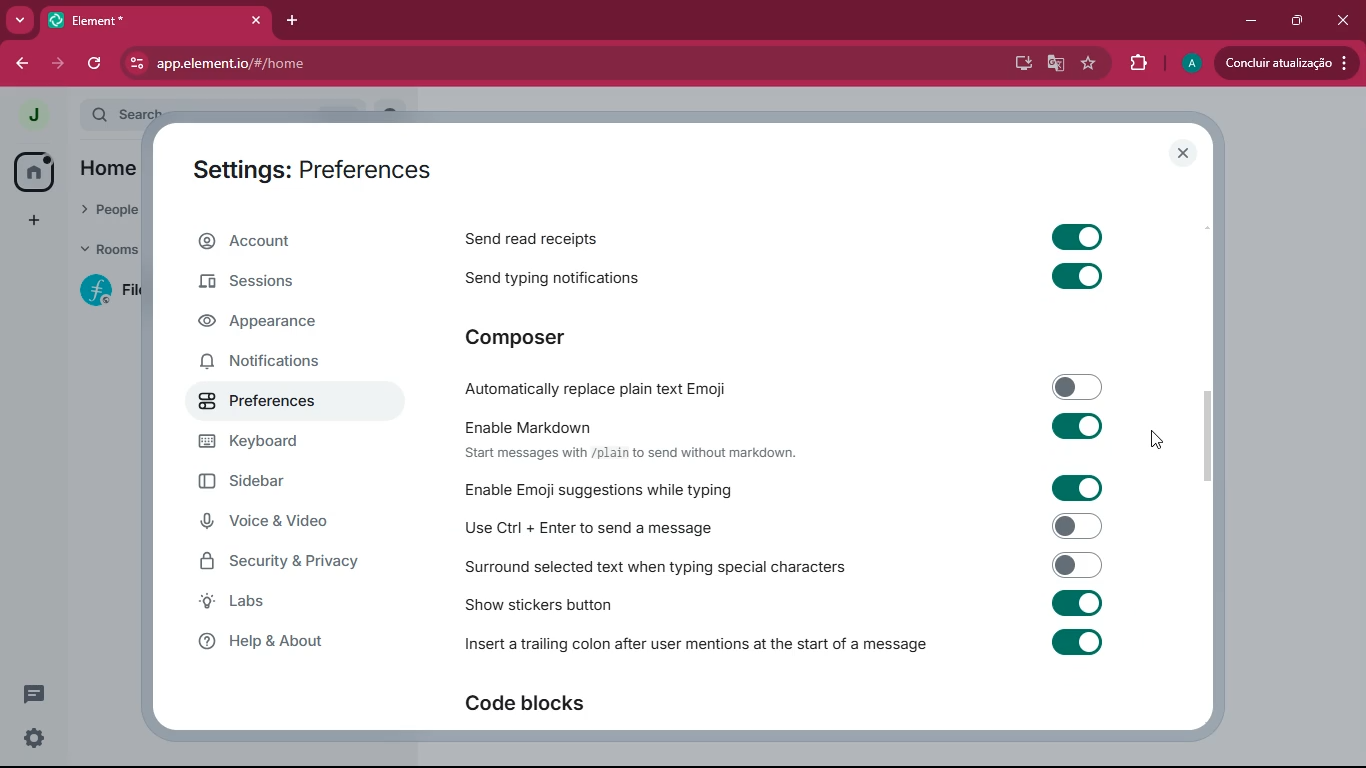 This screenshot has height=768, width=1366. What do you see at coordinates (1190, 63) in the screenshot?
I see `profile` at bounding box center [1190, 63].